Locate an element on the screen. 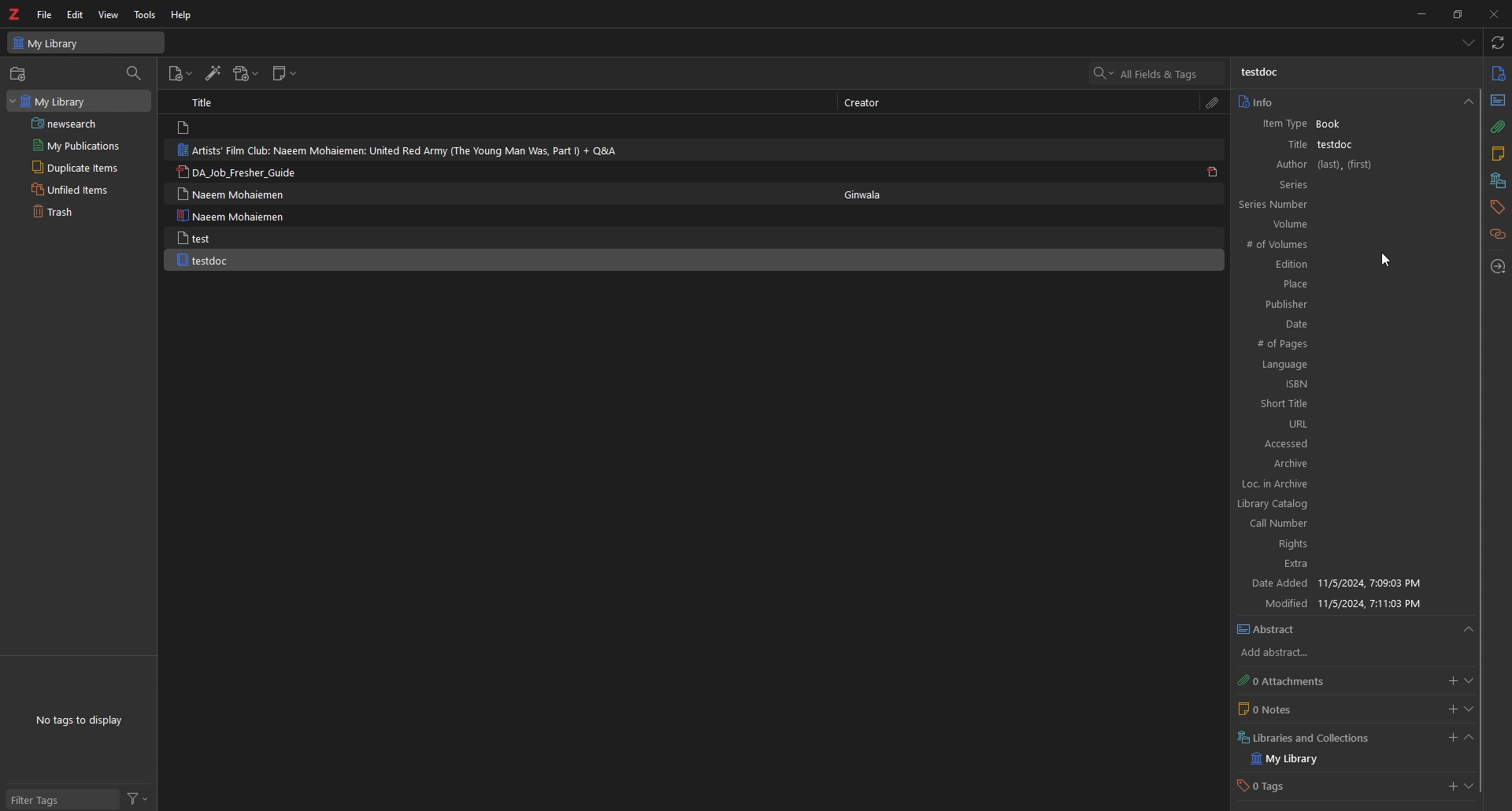  add attachment is located at coordinates (247, 73).